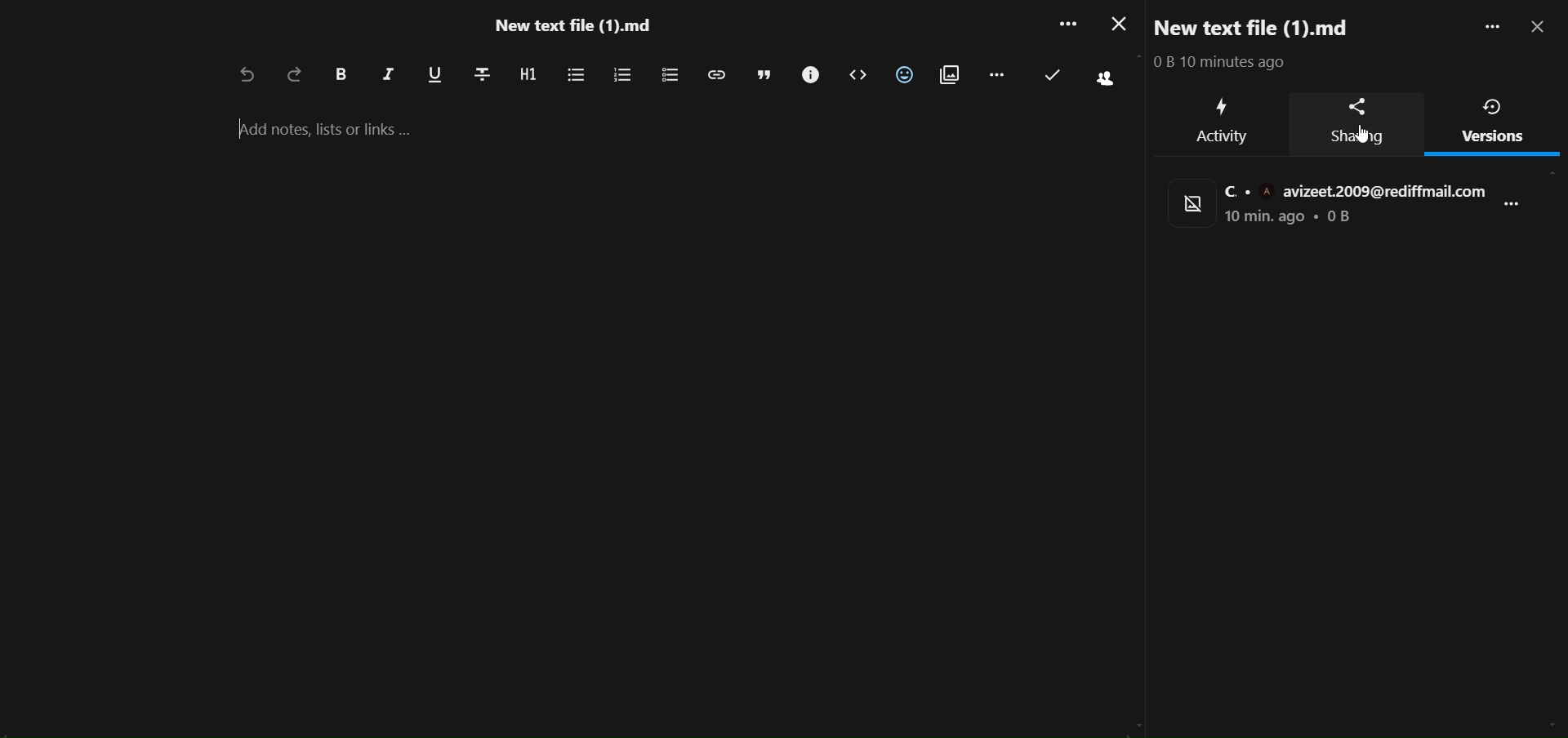  I want to click on status, so click(1294, 216).